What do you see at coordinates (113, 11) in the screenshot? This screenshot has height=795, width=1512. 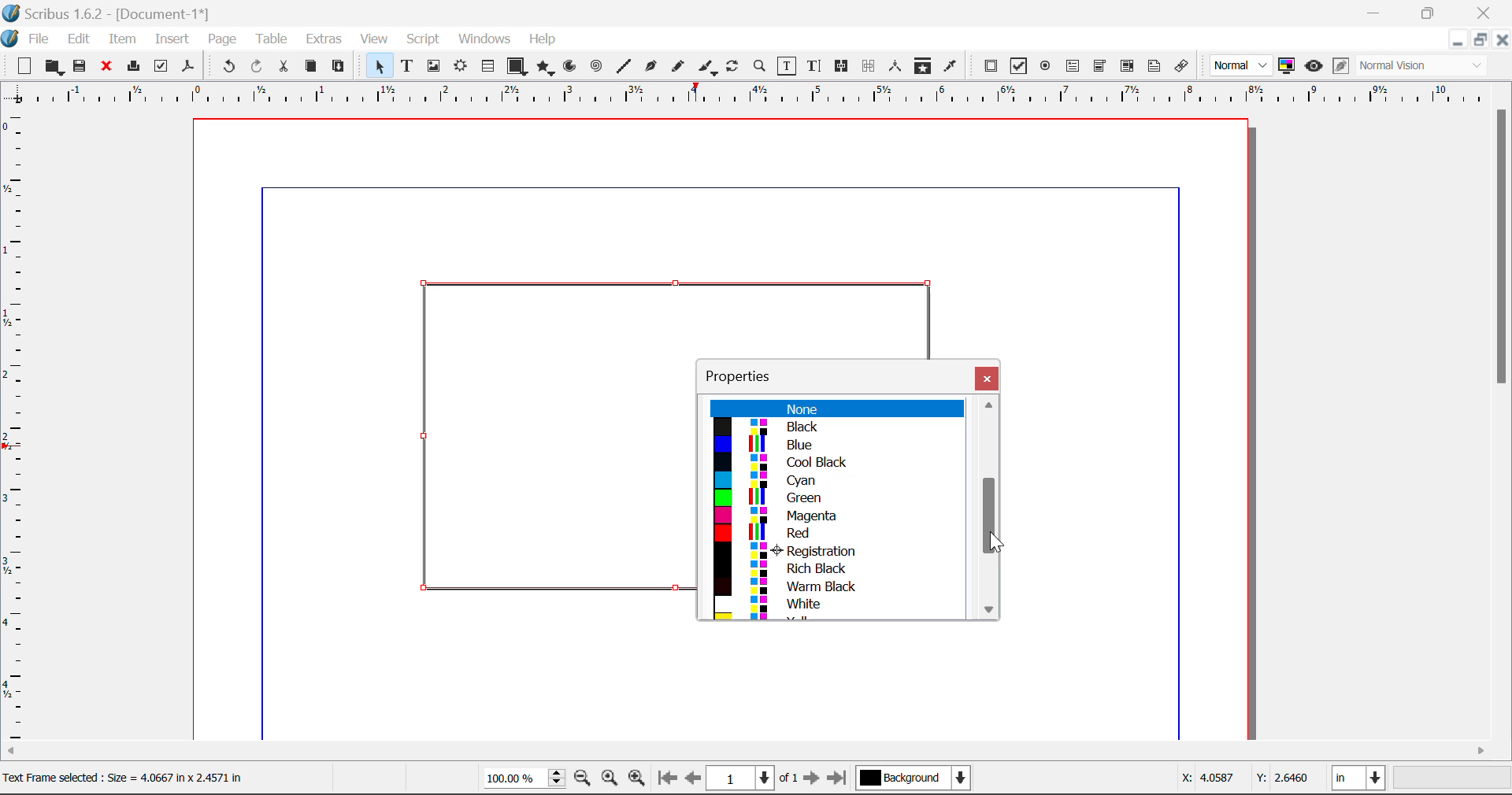 I see `Scribus 1.62 - [Document-1*]` at bounding box center [113, 11].